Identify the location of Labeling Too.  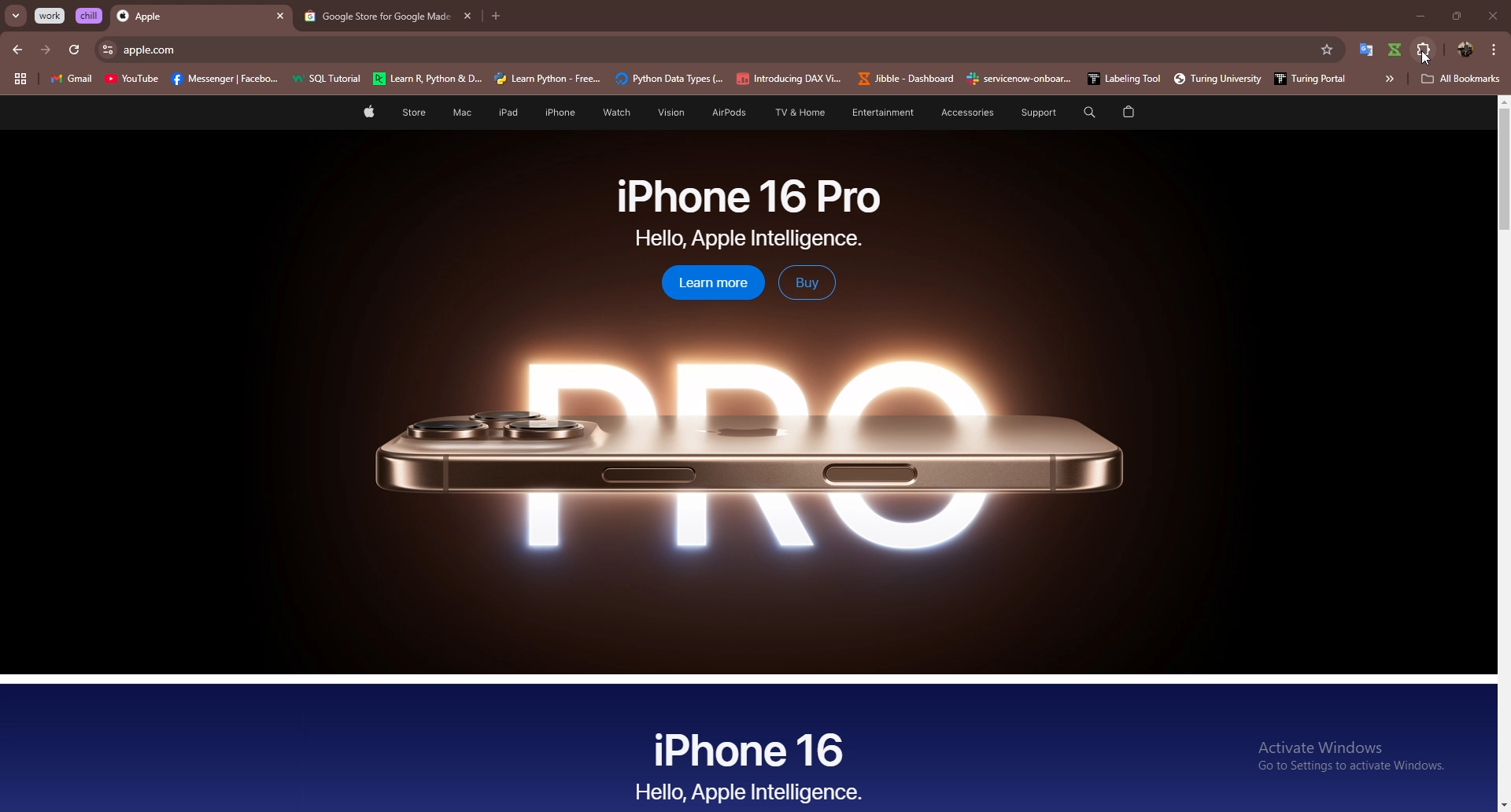
(1121, 79).